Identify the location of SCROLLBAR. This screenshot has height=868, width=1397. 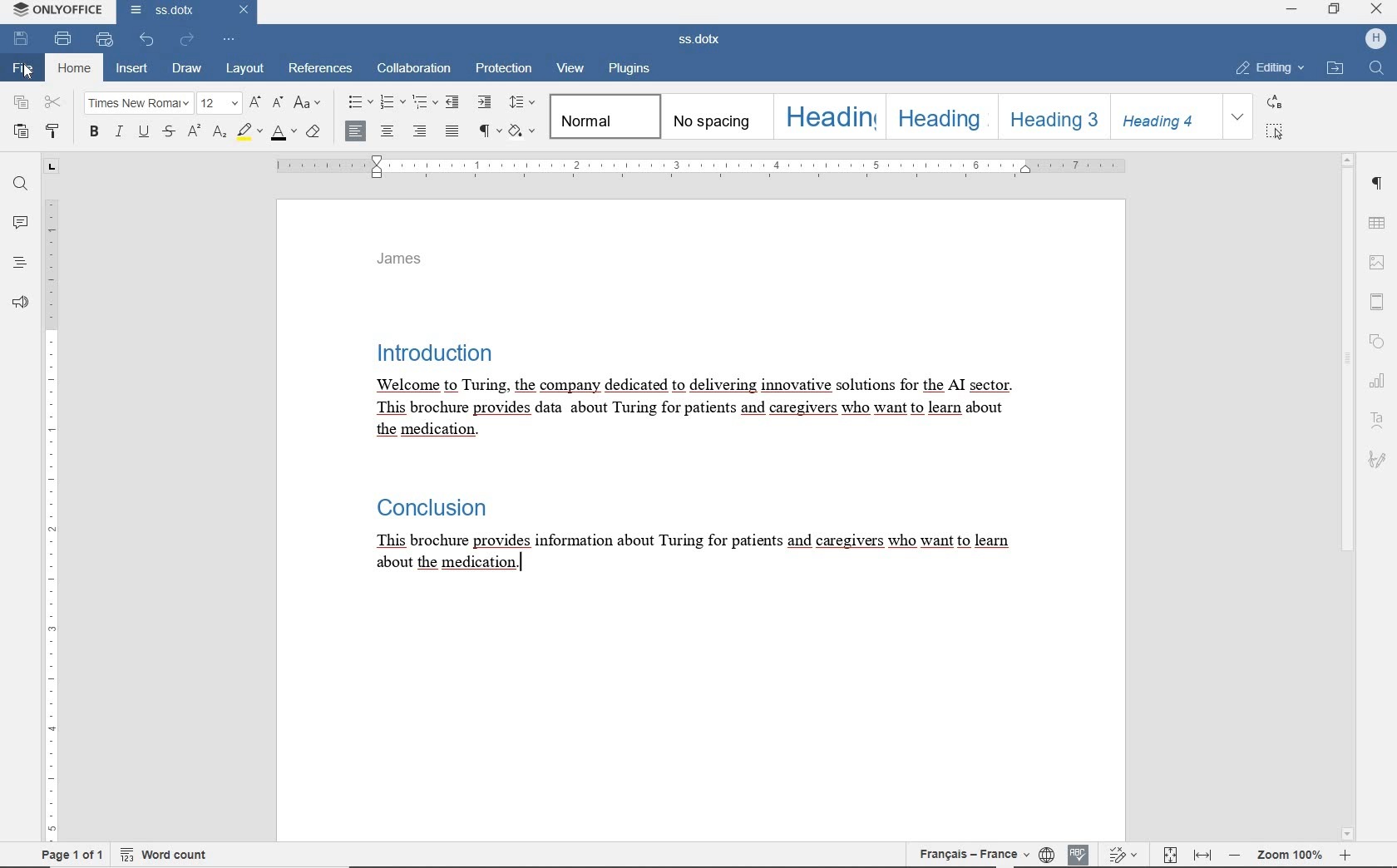
(1347, 497).